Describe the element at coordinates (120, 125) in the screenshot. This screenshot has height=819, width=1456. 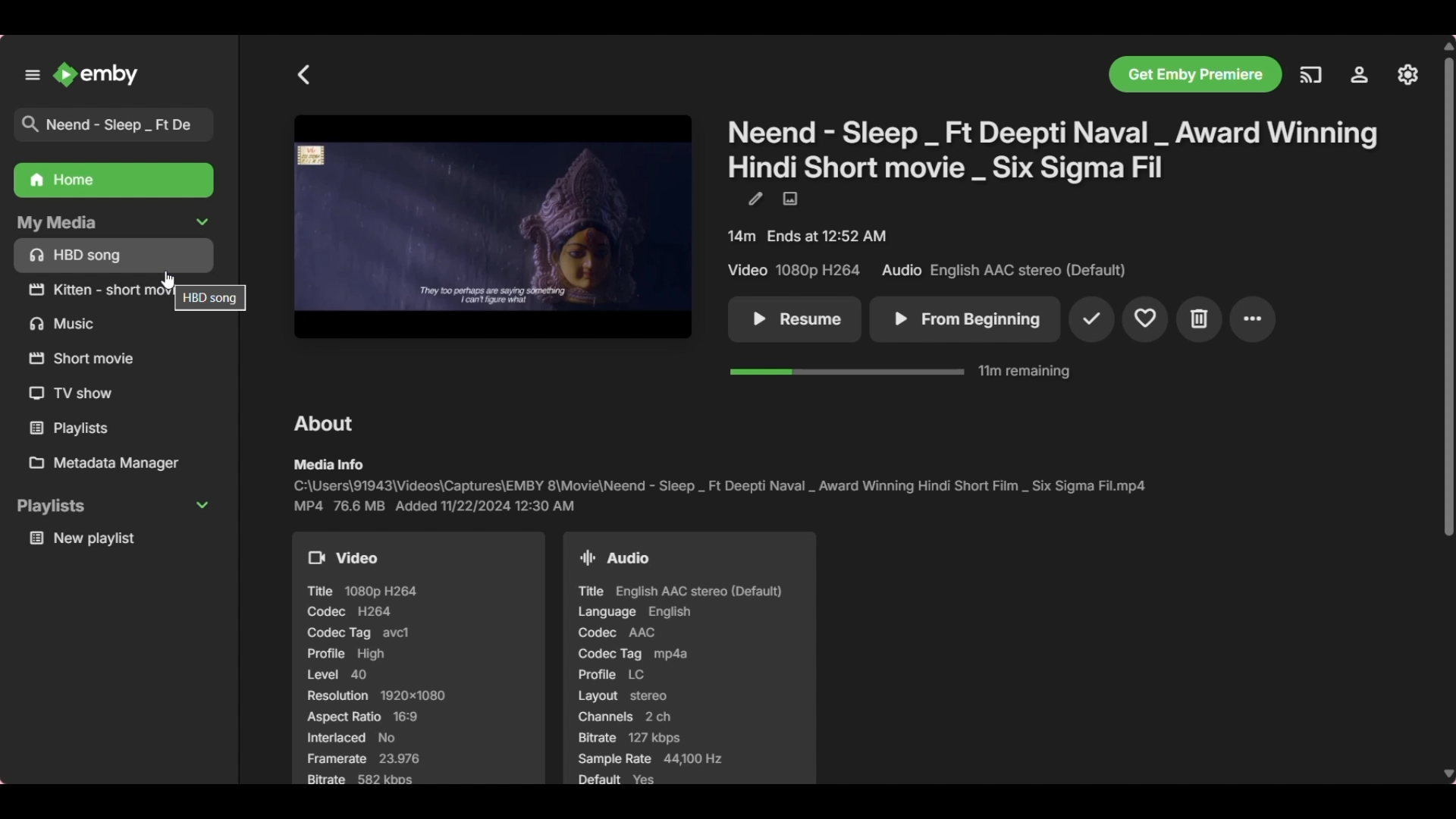
I see `Title of selected search result` at that location.